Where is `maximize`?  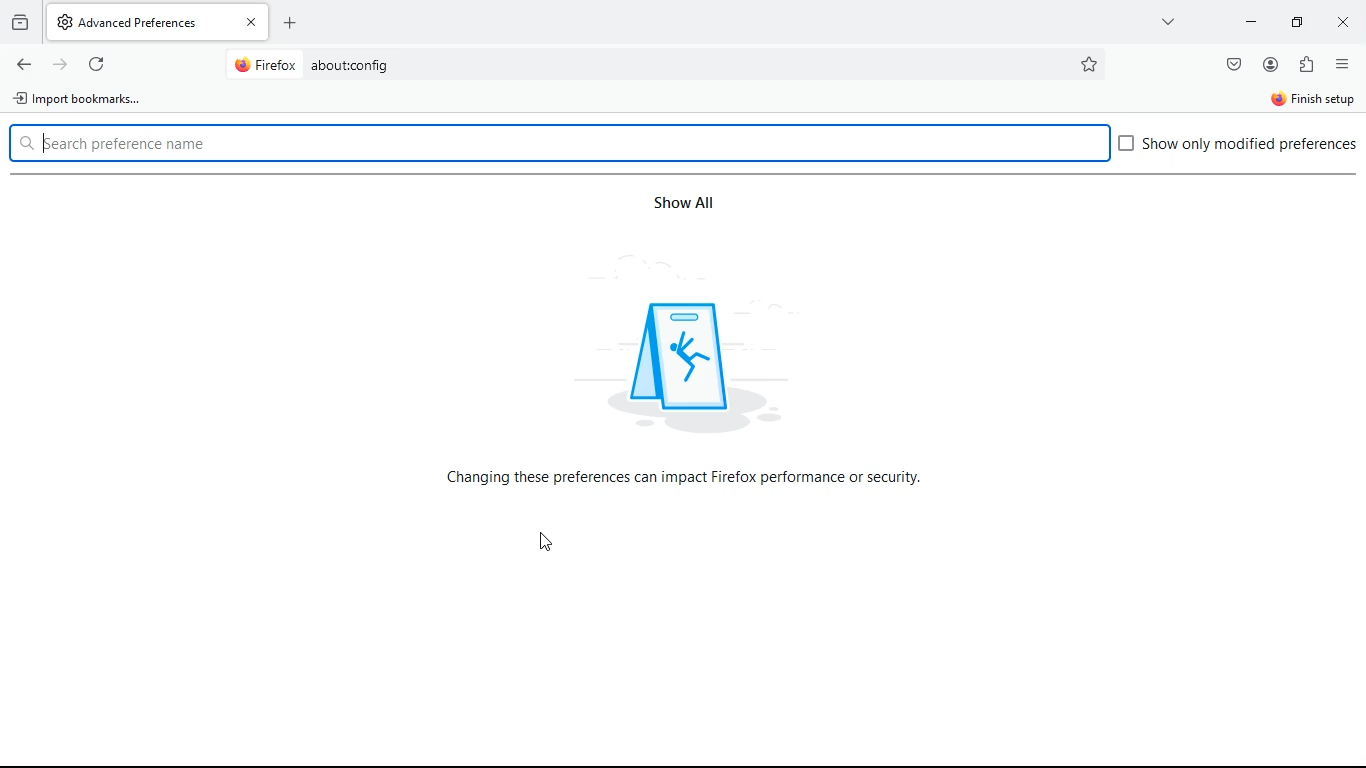 maximize is located at coordinates (1293, 23).